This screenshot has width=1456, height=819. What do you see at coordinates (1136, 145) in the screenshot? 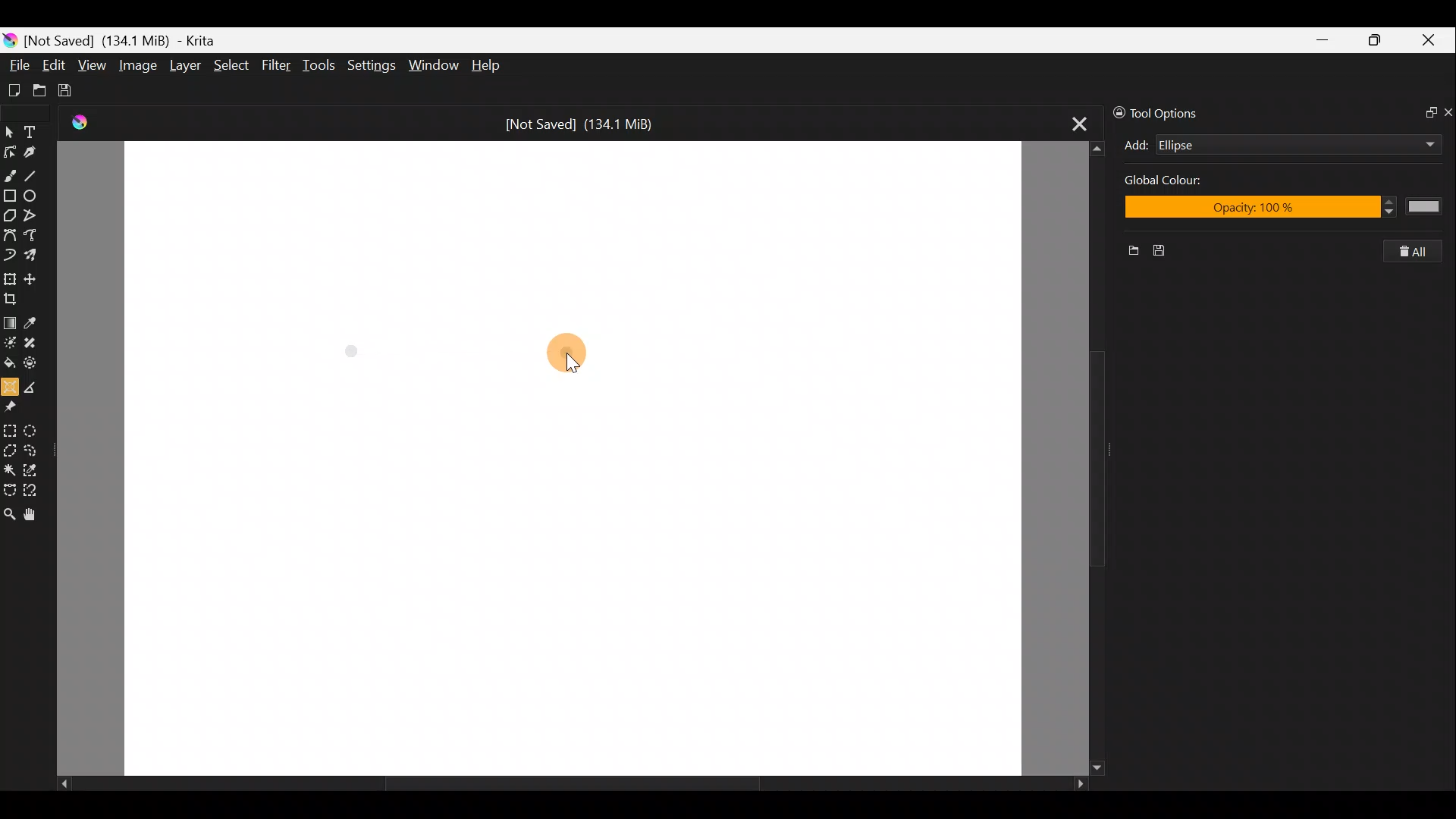
I see `Add` at bounding box center [1136, 145].